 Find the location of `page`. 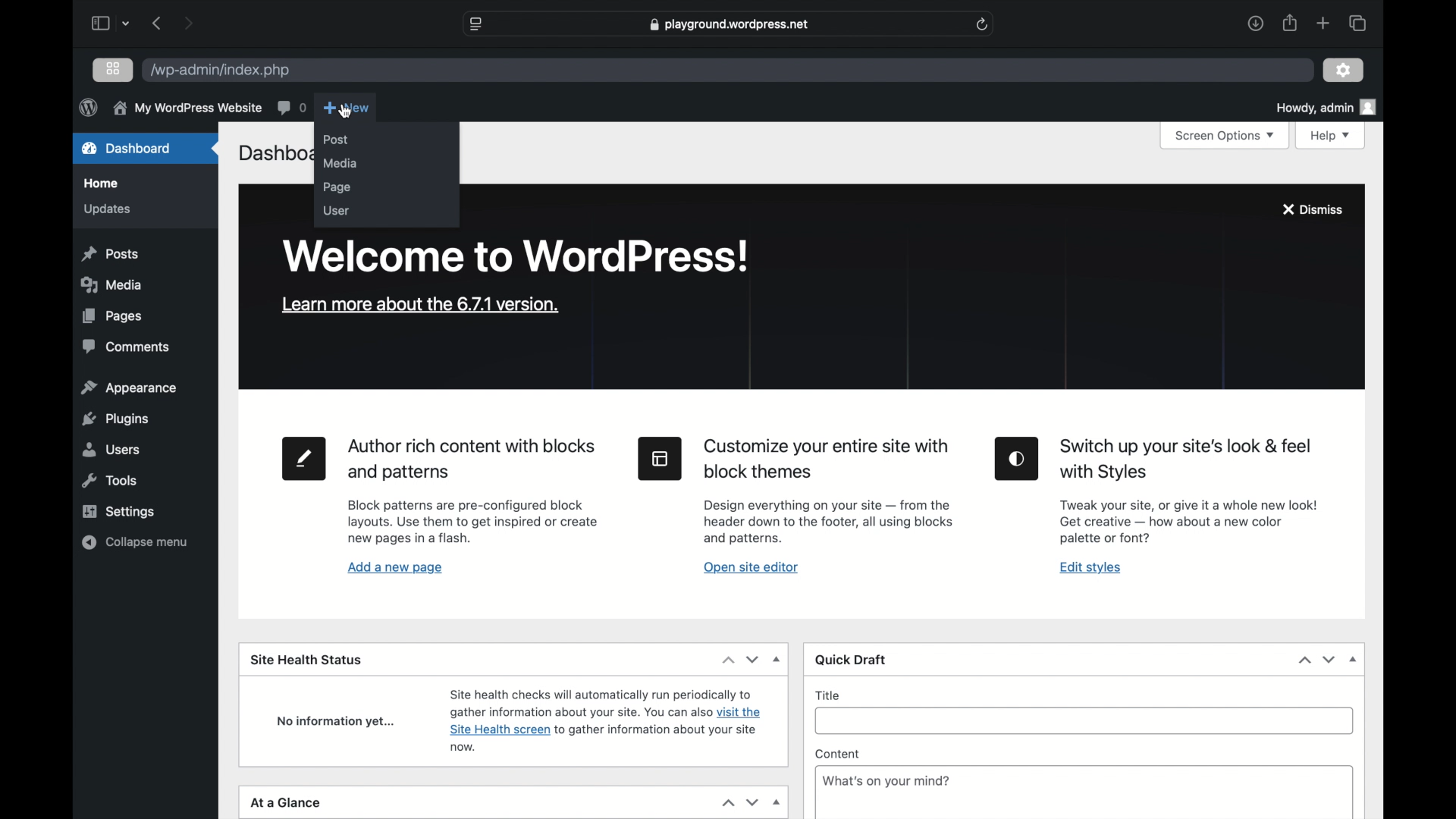

page is located at coordinates (336, 187).